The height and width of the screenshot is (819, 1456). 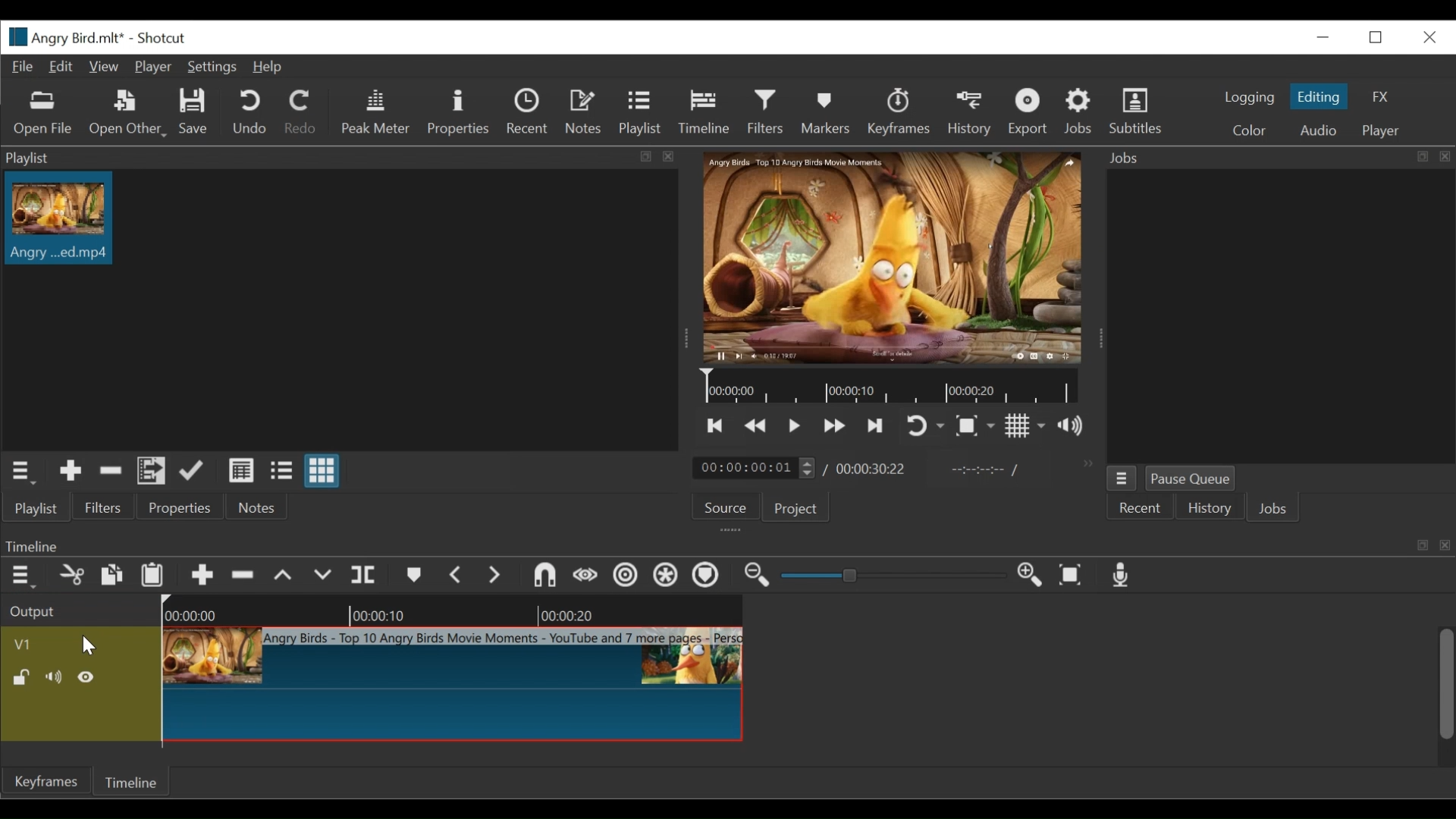 I want to click on Add the source to the playlist, so click(x=69, y=473).